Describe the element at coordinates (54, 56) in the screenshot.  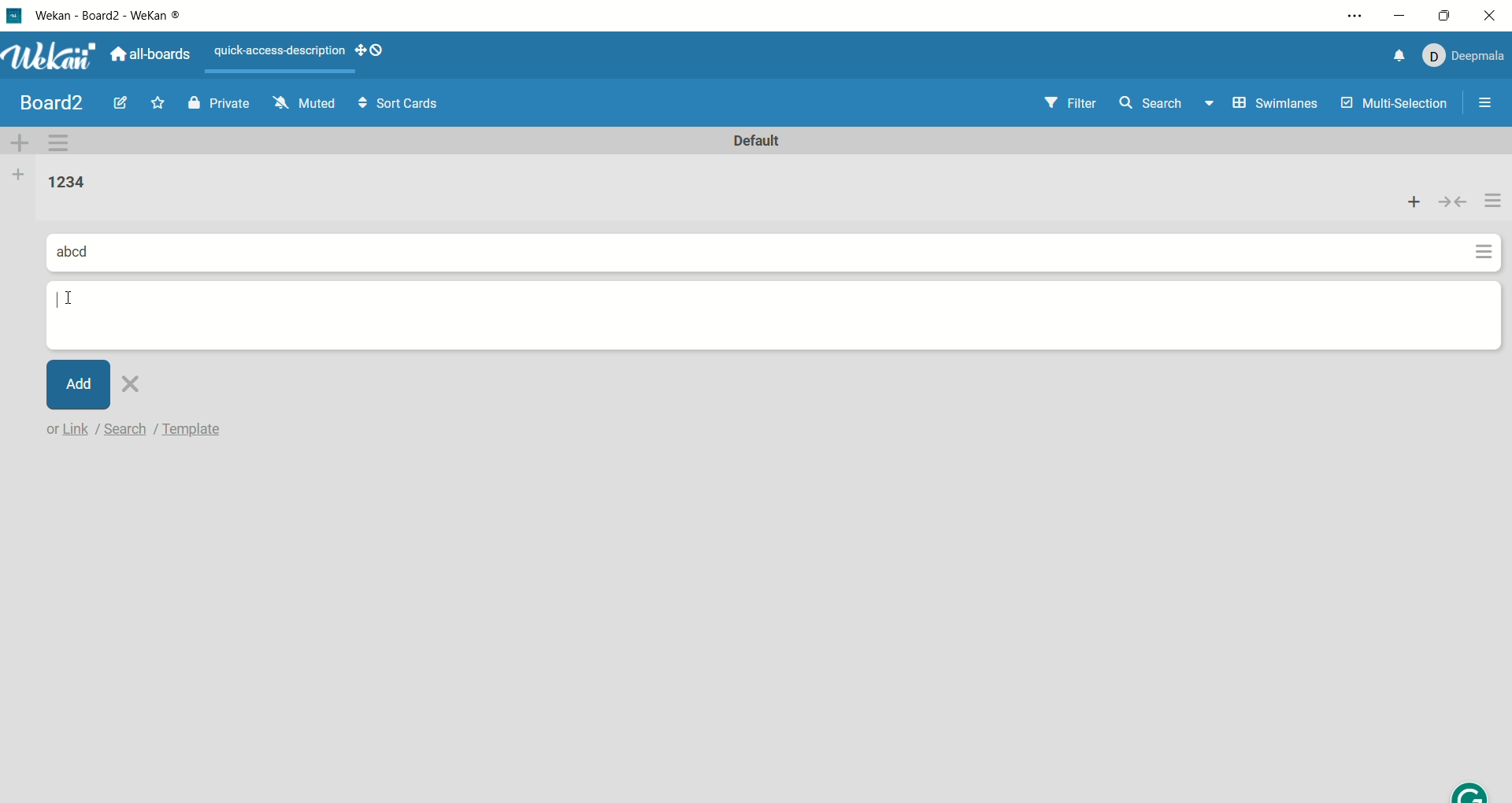
I see `wekan` at that location.